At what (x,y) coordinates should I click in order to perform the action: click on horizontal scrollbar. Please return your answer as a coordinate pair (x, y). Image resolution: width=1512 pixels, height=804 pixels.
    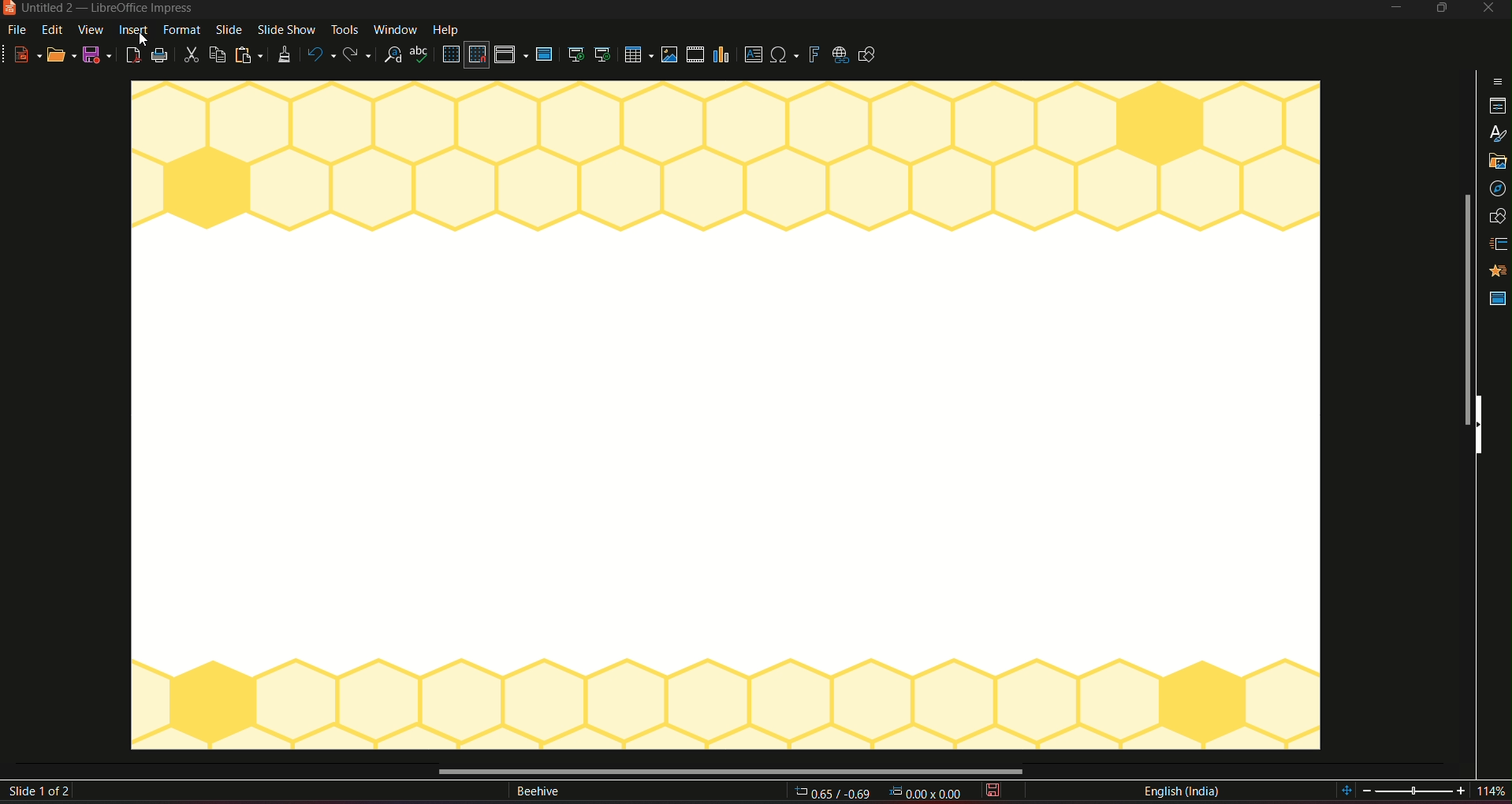
    Looking at the image, I should click on (728, 770).